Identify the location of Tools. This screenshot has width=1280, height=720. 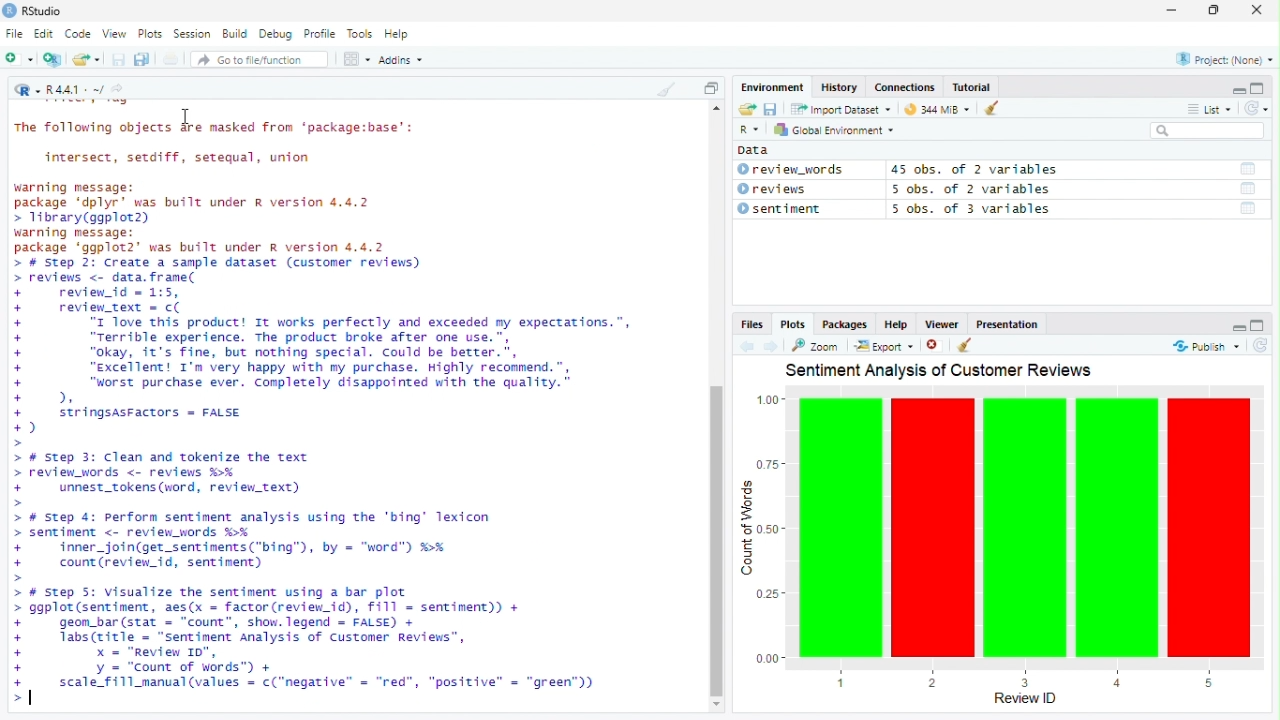
(360, 34).